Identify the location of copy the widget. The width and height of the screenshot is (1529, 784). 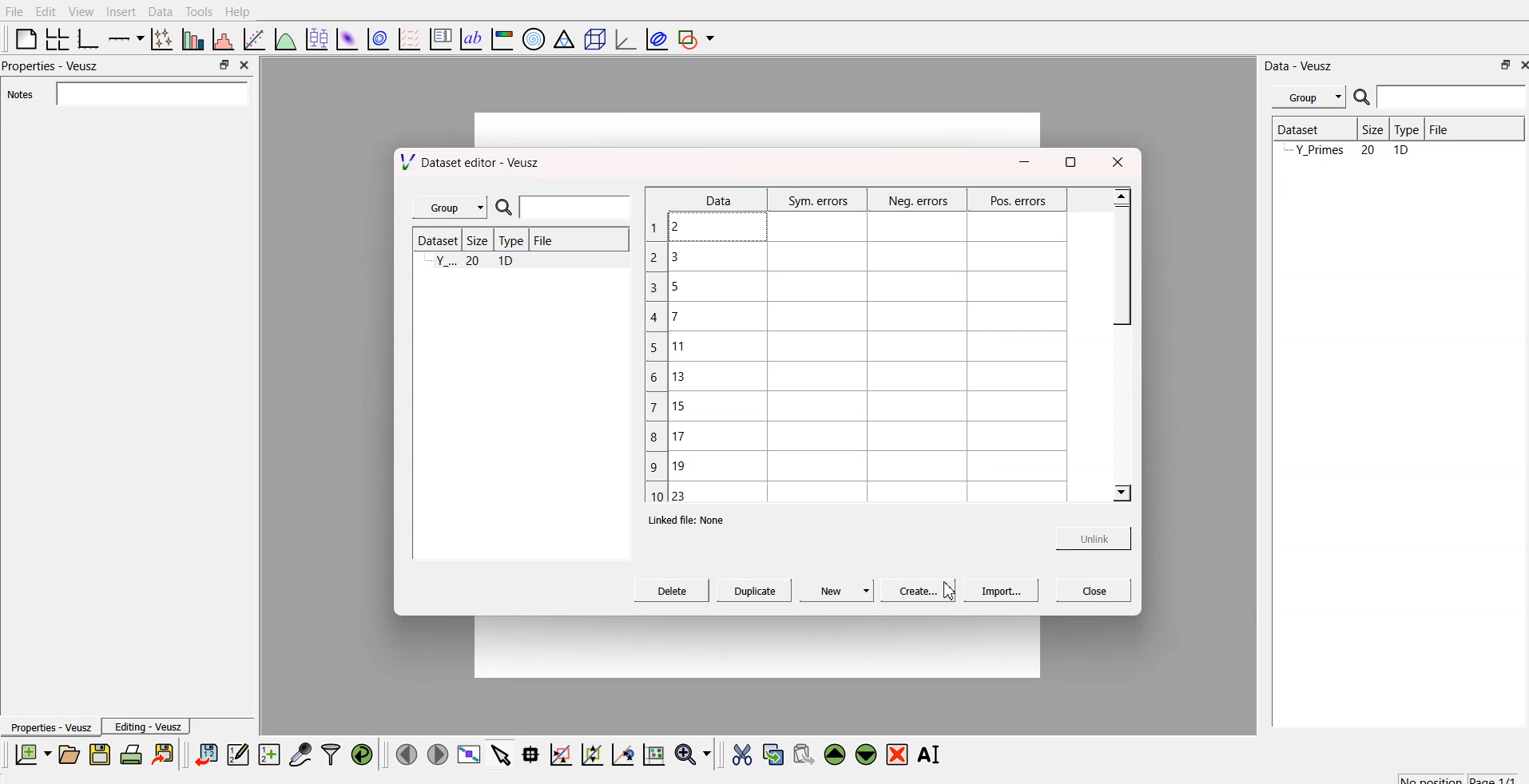
(772, 754).